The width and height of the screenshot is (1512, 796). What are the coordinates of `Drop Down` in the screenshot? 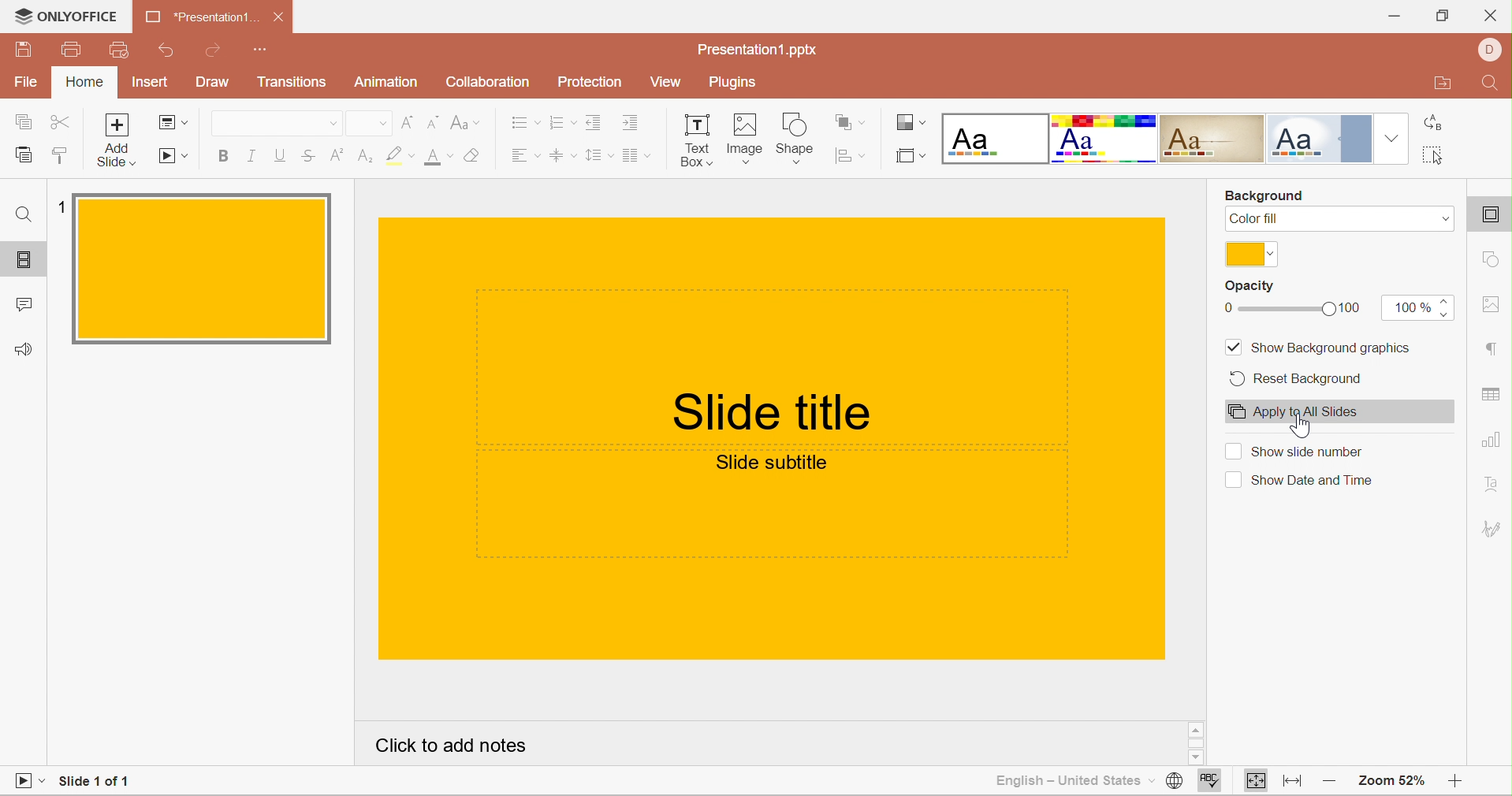 It's located at (330, 125).